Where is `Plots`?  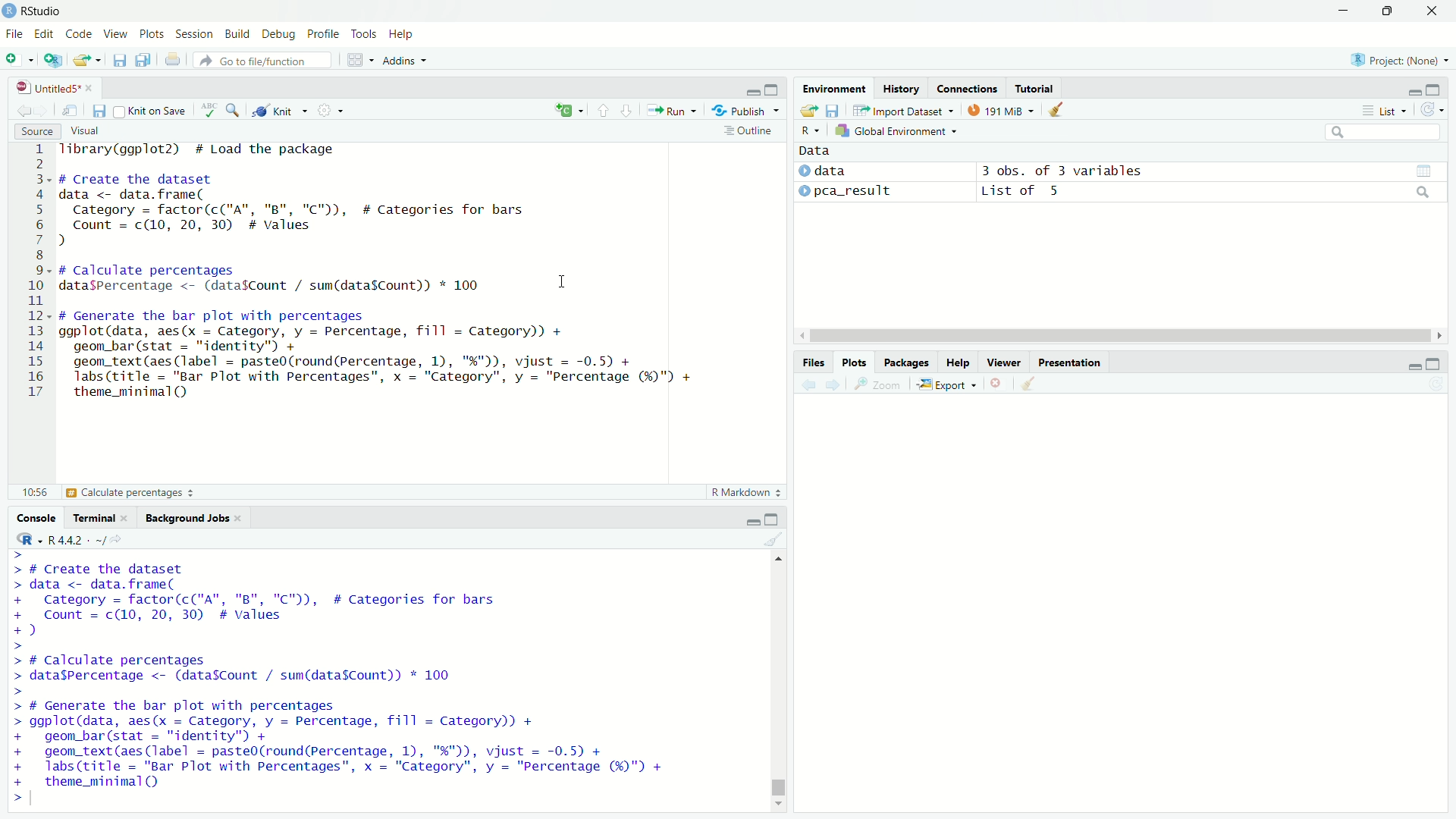 Plots is located at coordinates (854, 362).